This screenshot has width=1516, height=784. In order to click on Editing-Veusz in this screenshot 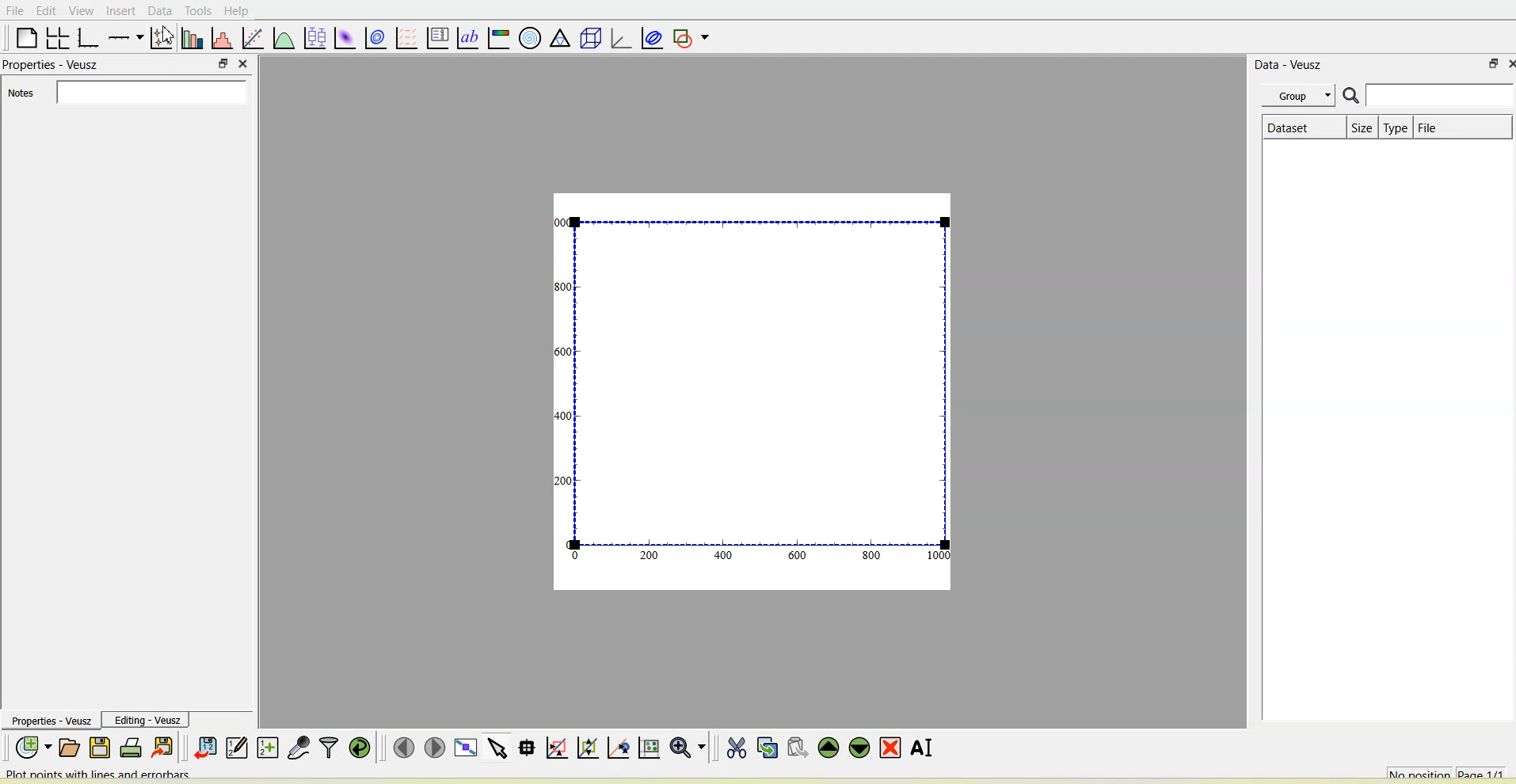, I will do `click(146, 720)`.